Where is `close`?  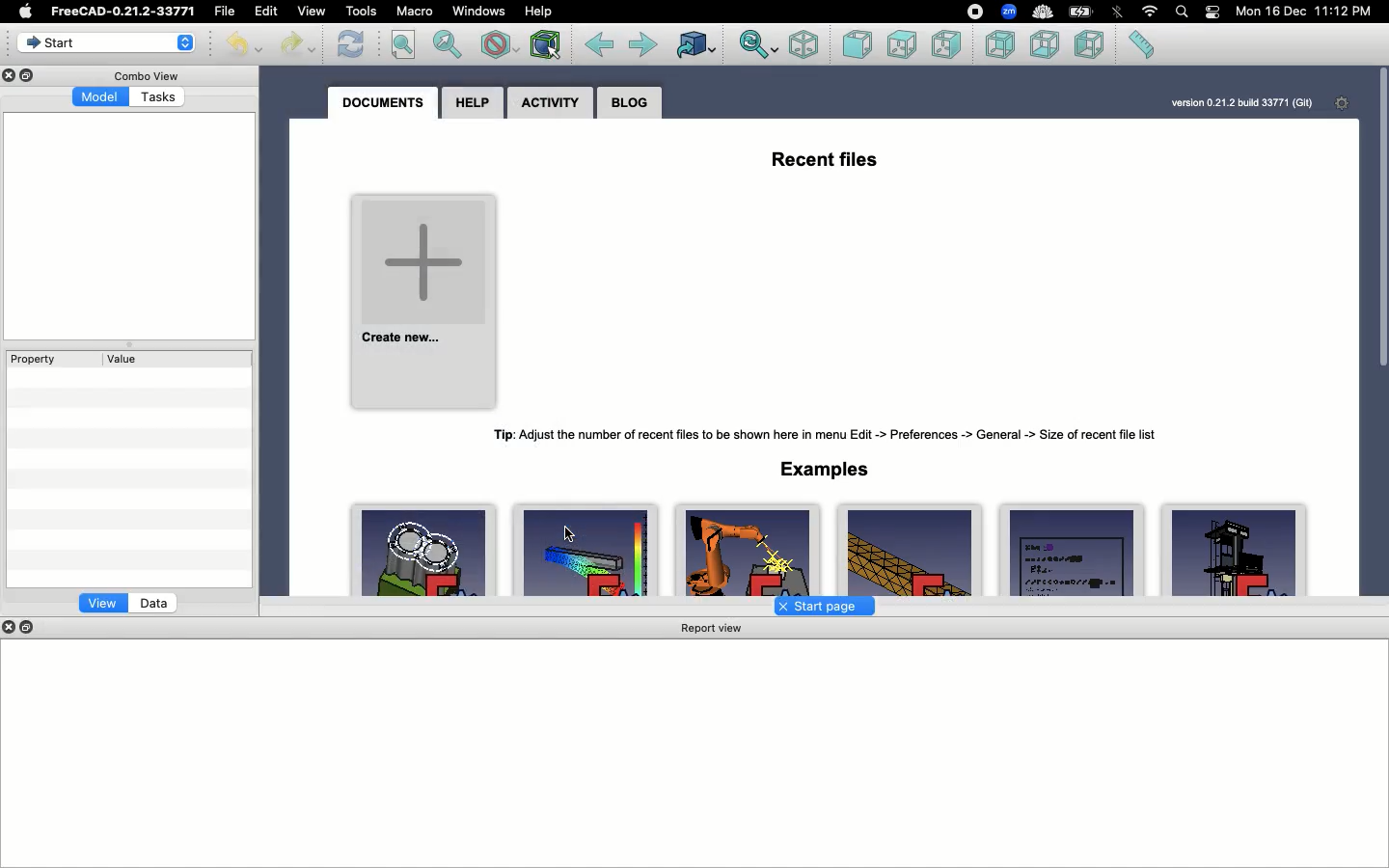 close is located at coordinates (11, 627).